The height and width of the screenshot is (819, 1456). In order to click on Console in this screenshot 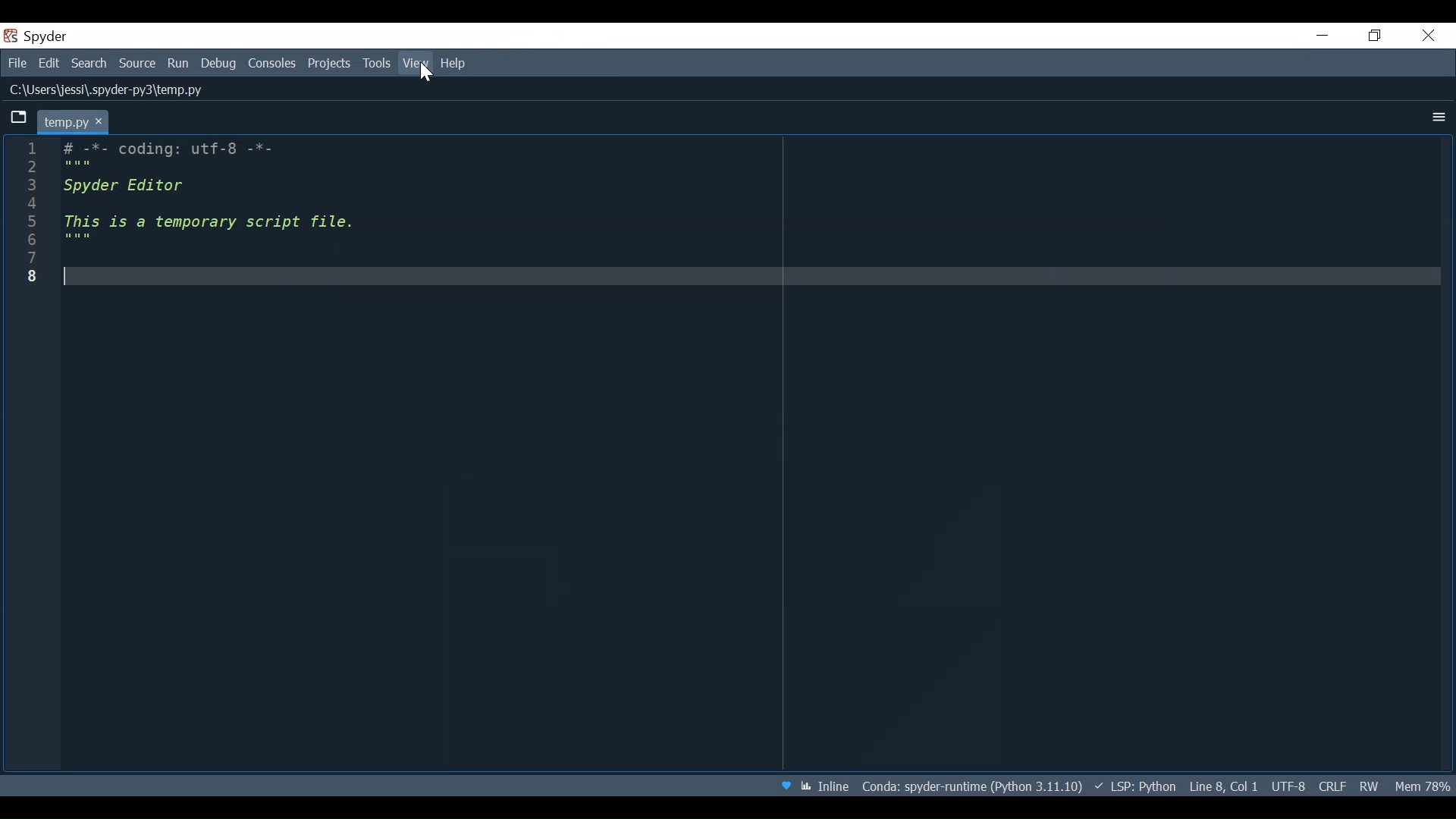, I will do `click(272, 64)`.